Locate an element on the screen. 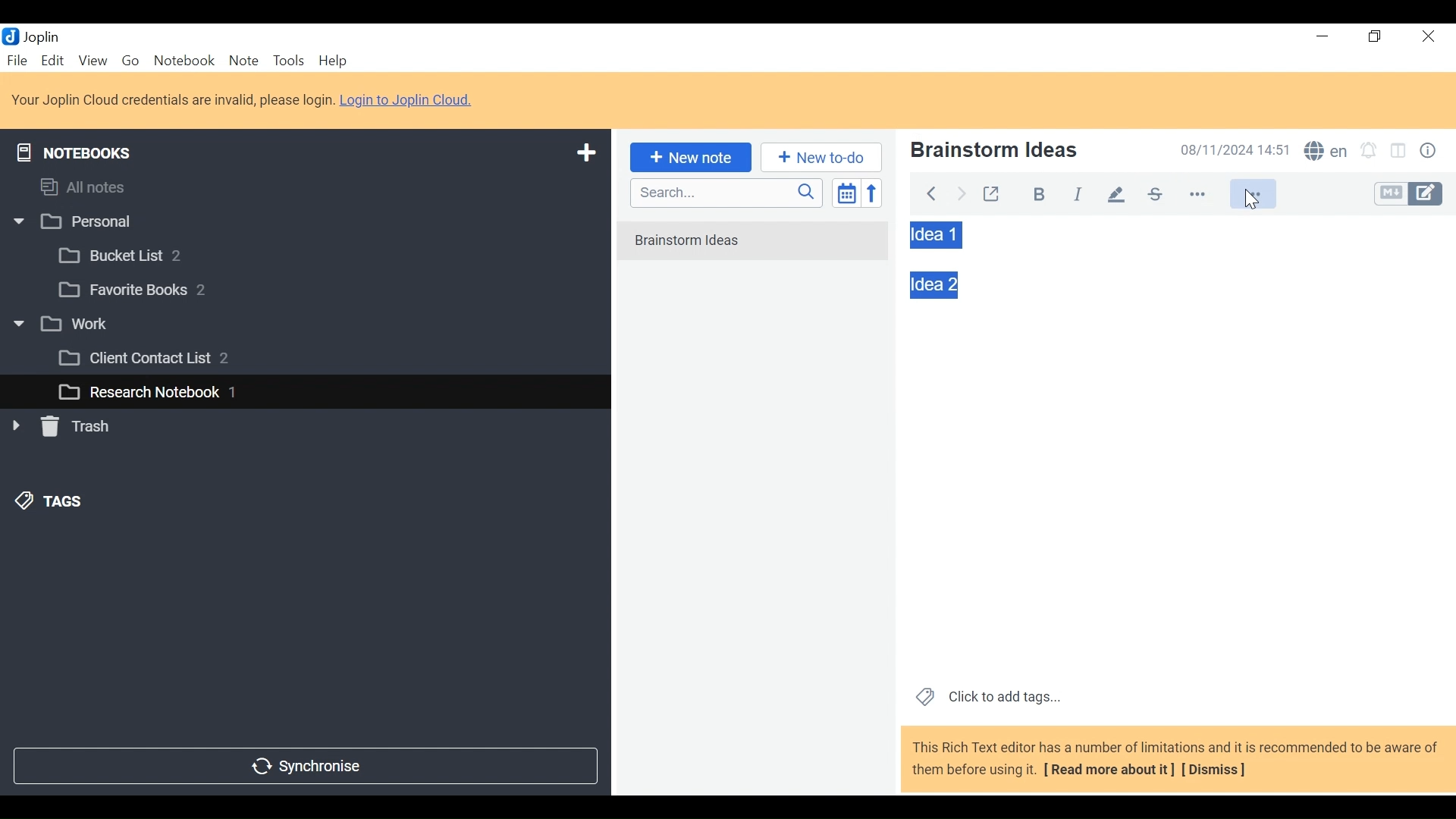  Synchronize is located at coordinates (304, 764).